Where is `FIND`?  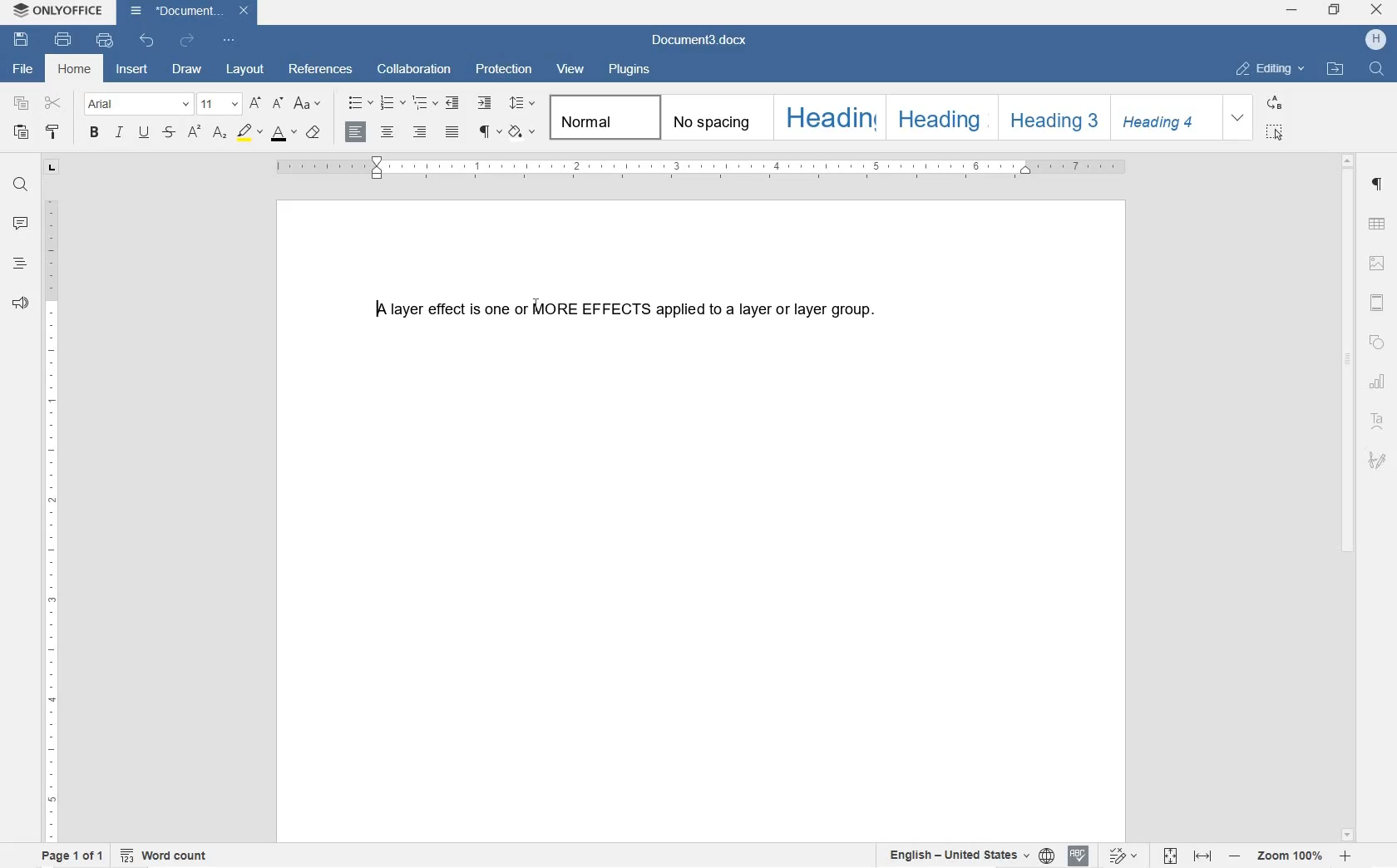
FIND is located at coordinates (21, 184).